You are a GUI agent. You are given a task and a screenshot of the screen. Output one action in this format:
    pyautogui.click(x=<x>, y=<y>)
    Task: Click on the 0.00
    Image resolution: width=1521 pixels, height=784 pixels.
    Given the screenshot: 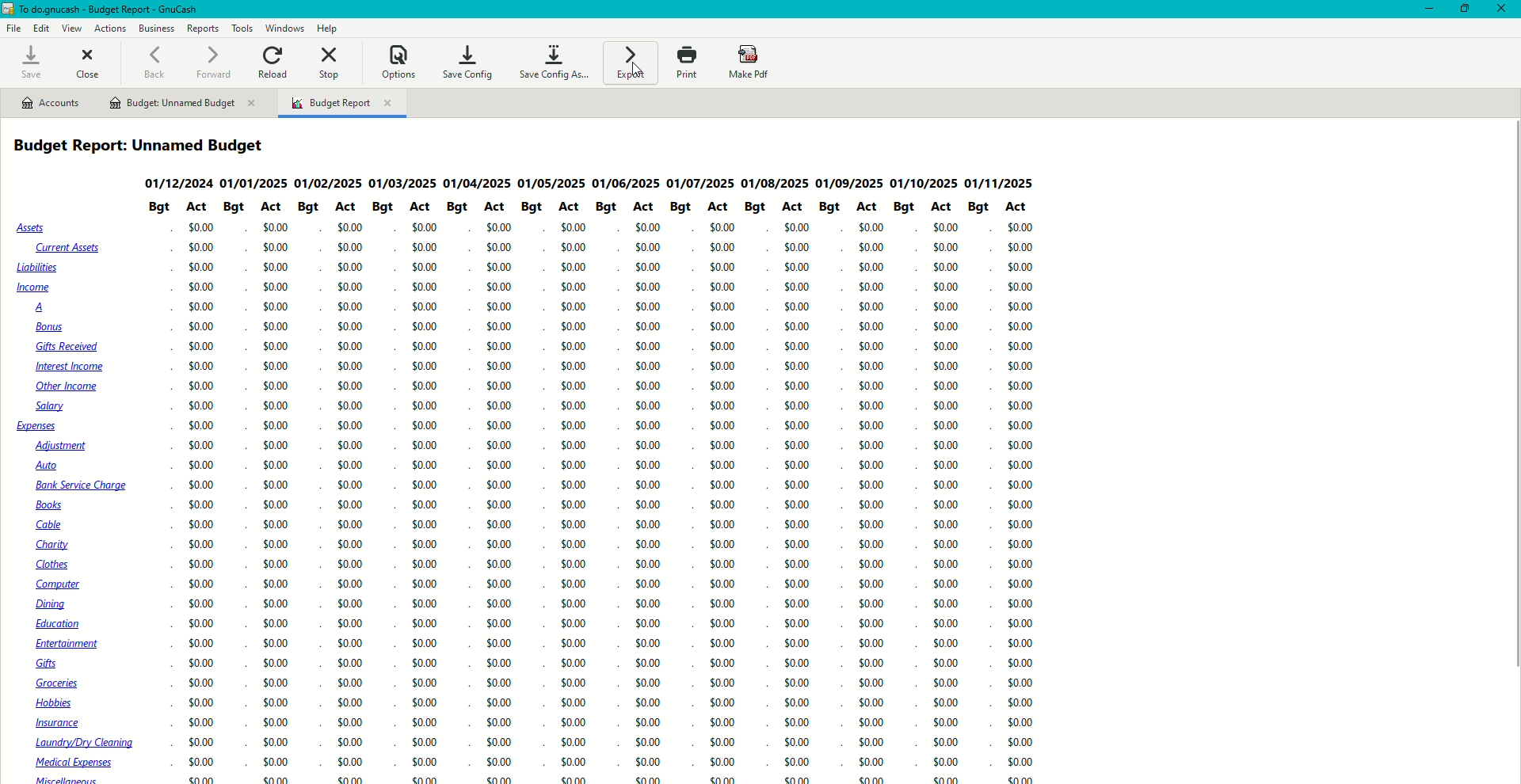 What is the action you would take?
    pyautogui.click(x=275, y=524)
    